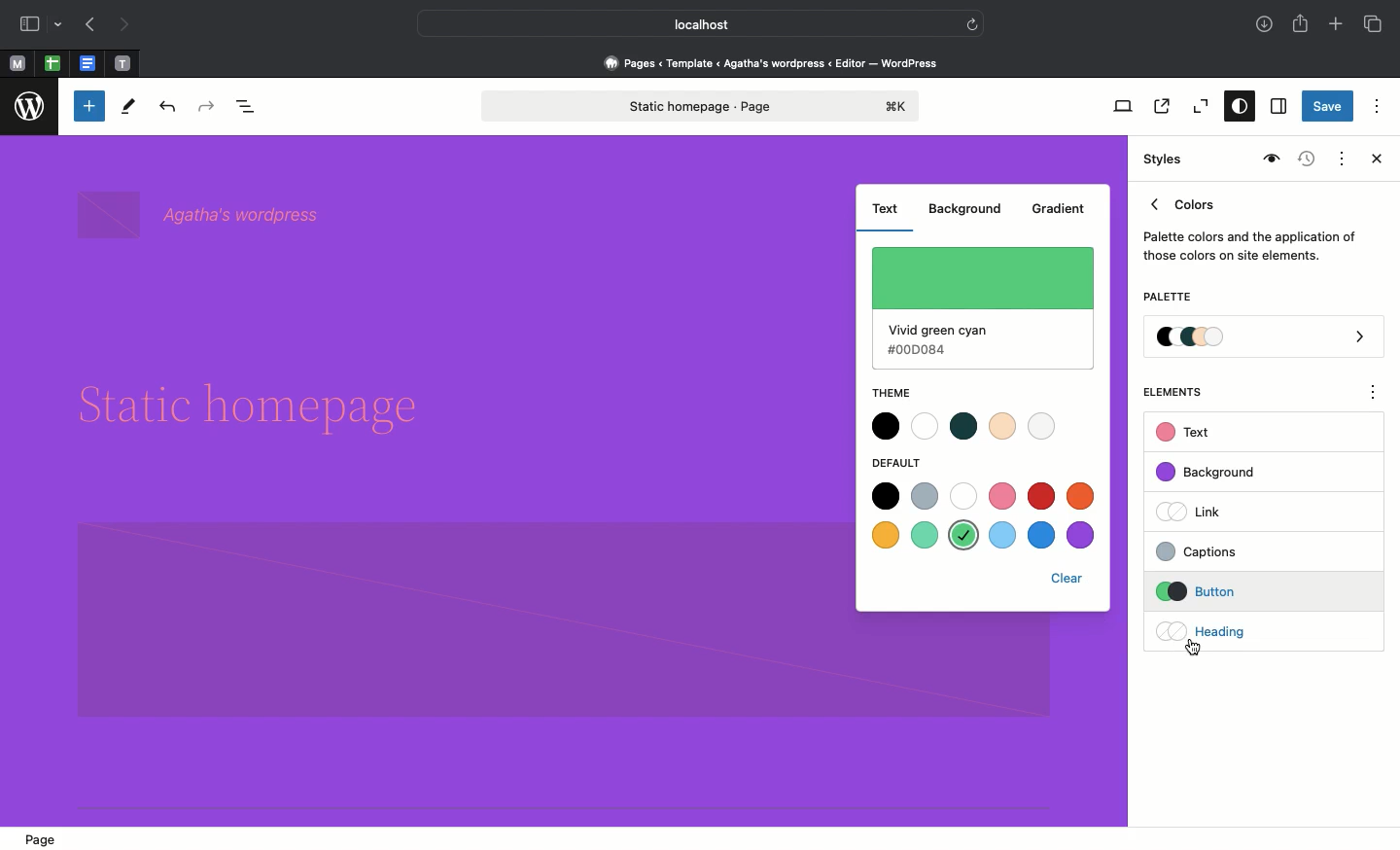 The height and width of the screenshot is (850, 1400). I want to click on Theme color, so click(962, 428).